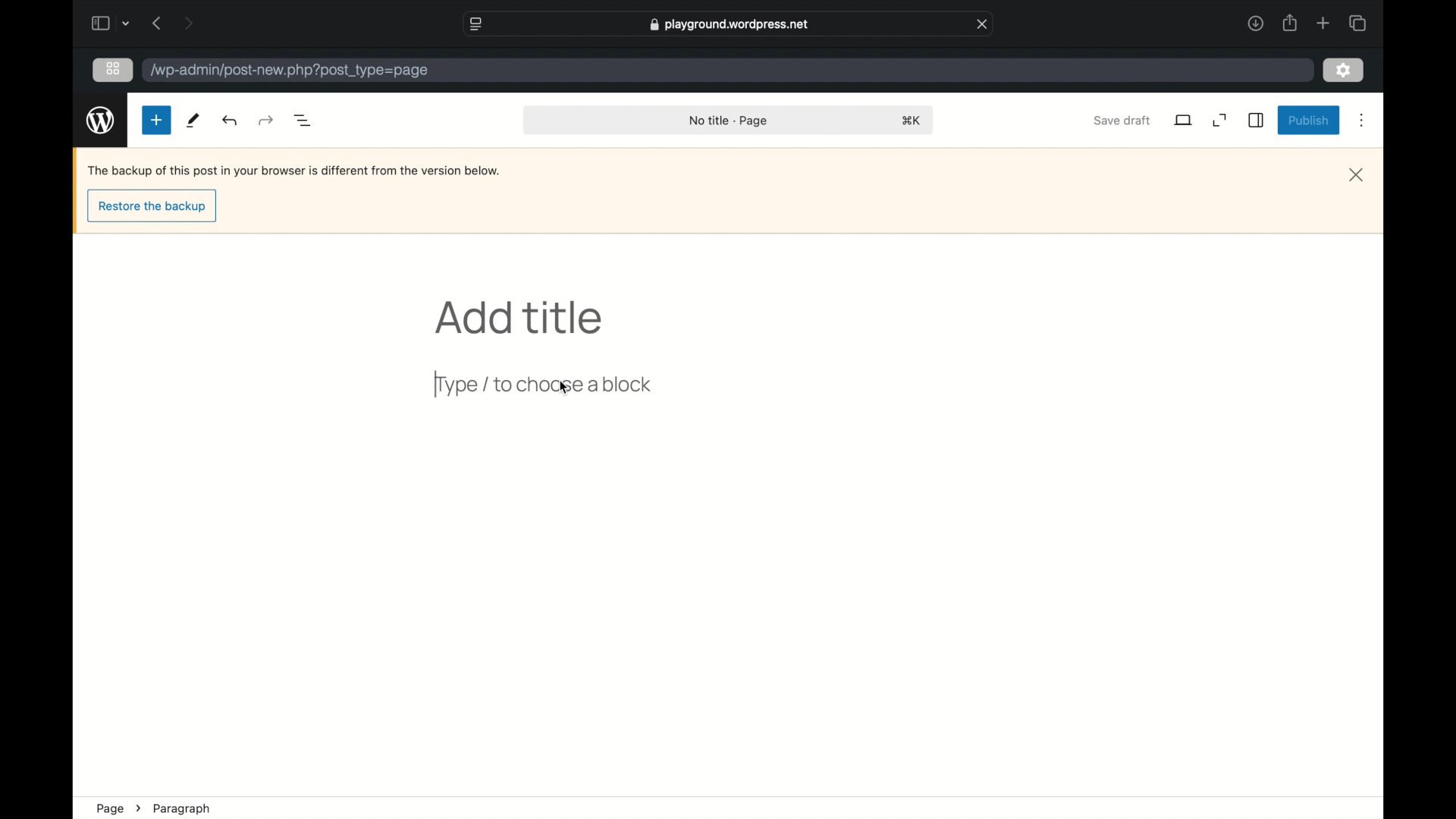 This screenshot has width=1456, height=819. What do you see at coordinates (296, 171) in the screenshot?
I see `Backup notification` at bounding box center [296, 171].